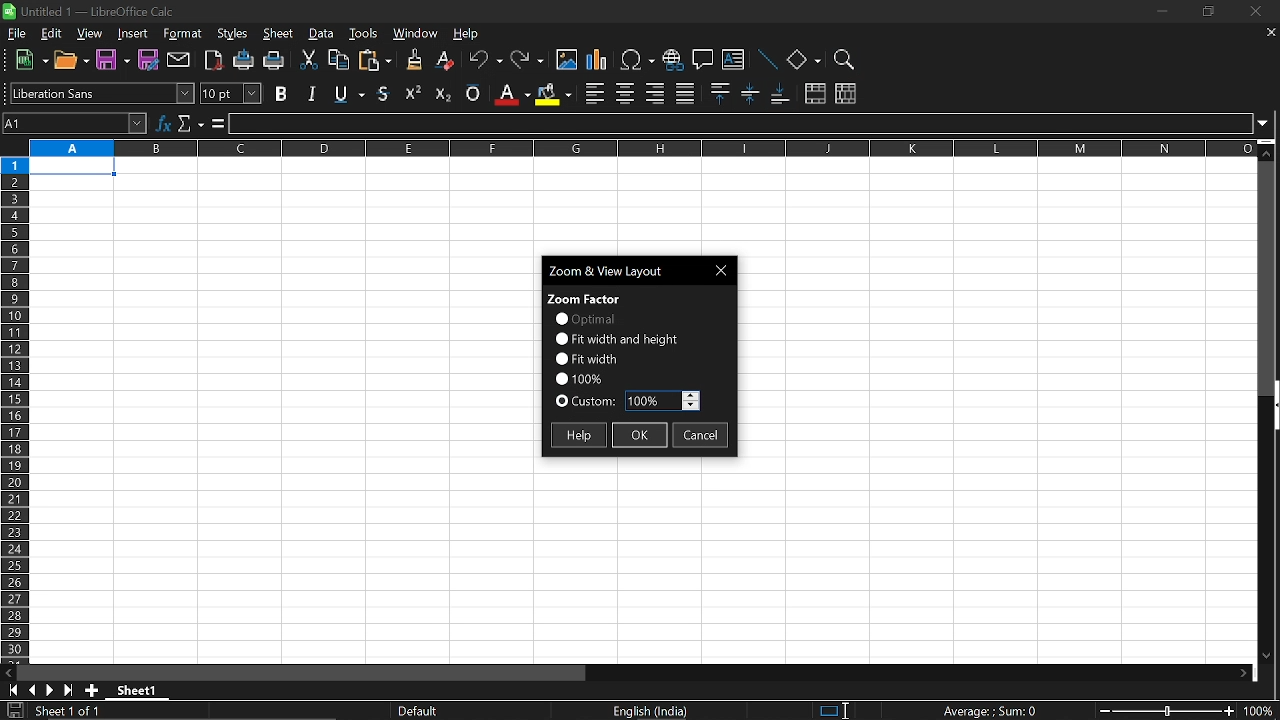 The width and height of the screenshot is (1280, 720). What do you see at coordinates (815, 95) in the screenshot?
I see `merge cells` at bounding box center [815, 95].